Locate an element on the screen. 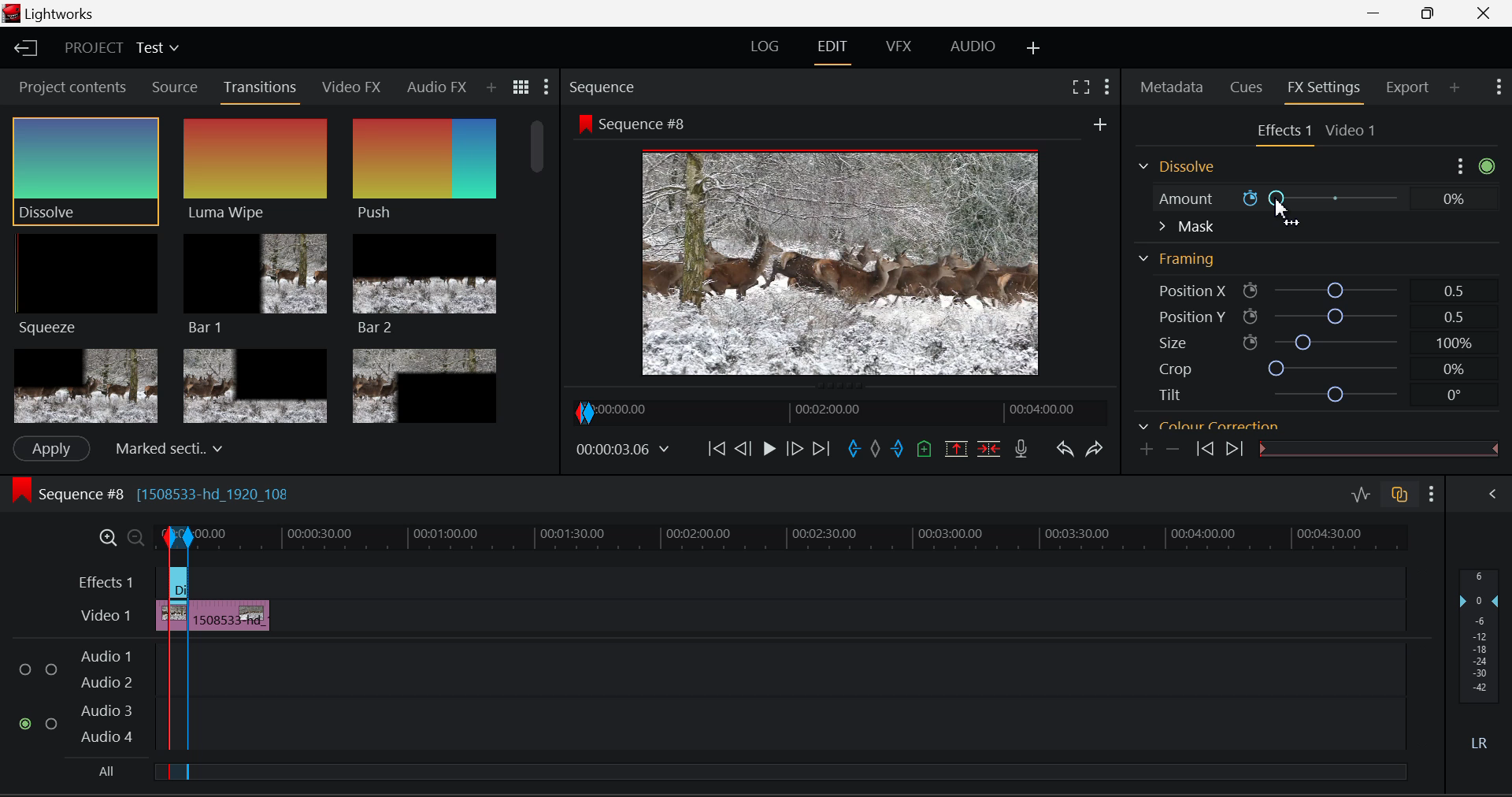  Restore Down is located at coordinates (1379, 13).